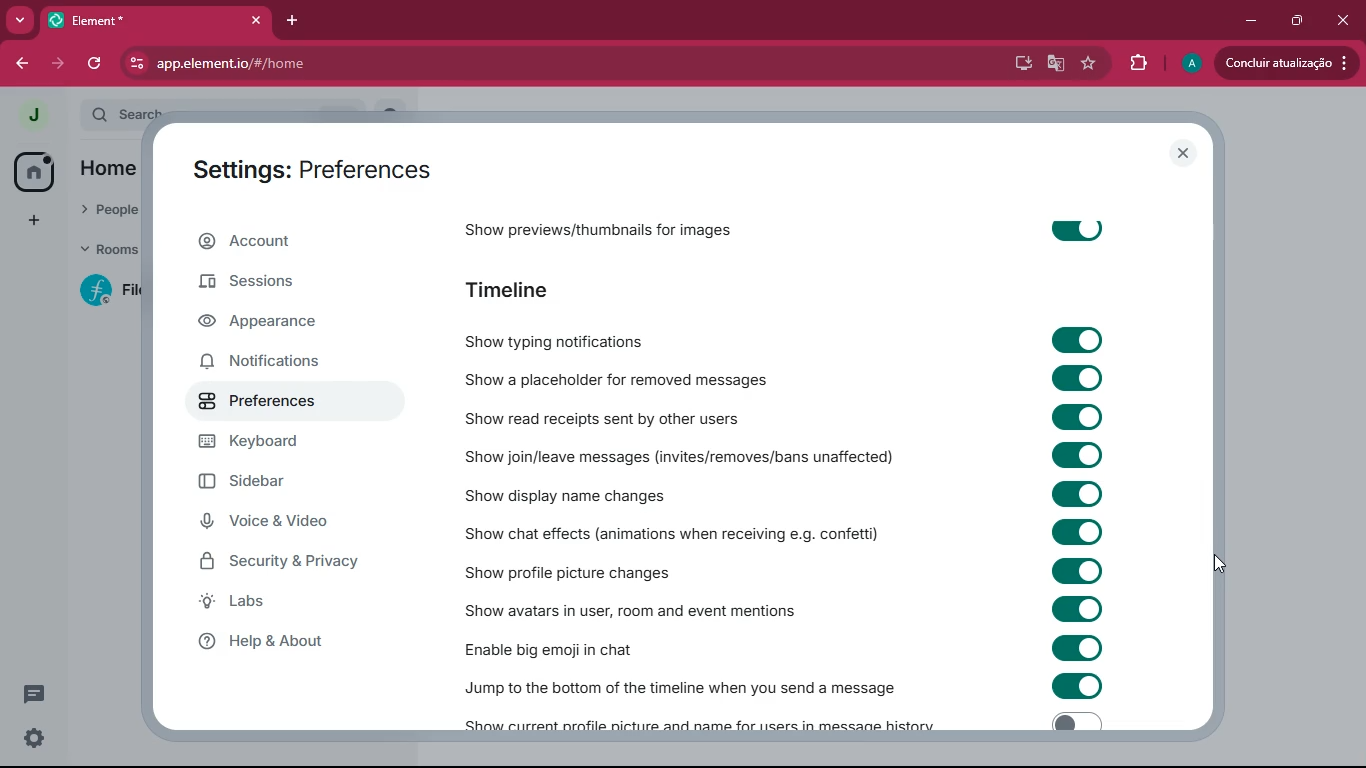 The height and width of the screenshot is (768, 1366). I want to click on google translate, so click(1056, 66).